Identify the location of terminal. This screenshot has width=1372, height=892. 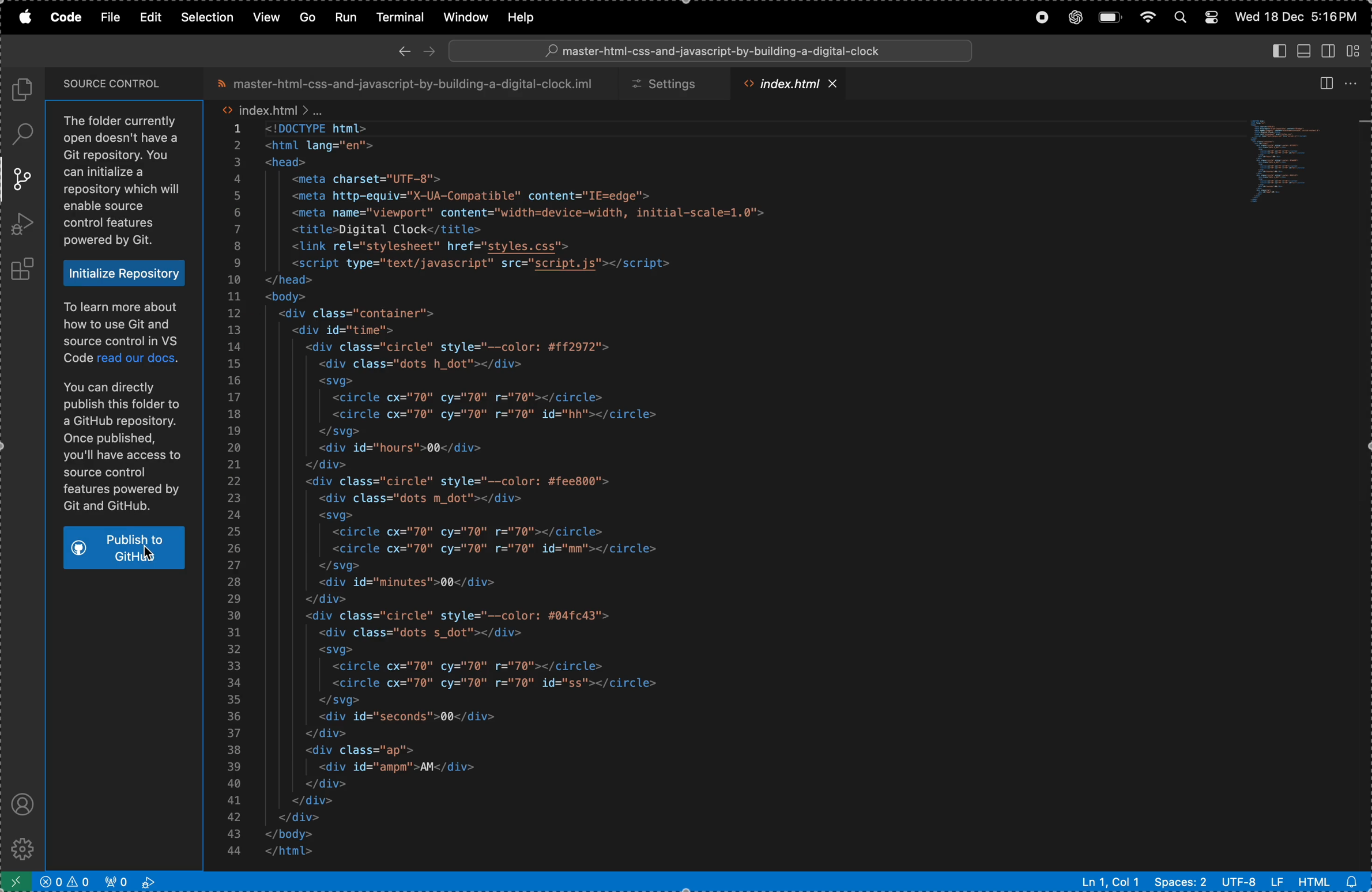
(395, 17).